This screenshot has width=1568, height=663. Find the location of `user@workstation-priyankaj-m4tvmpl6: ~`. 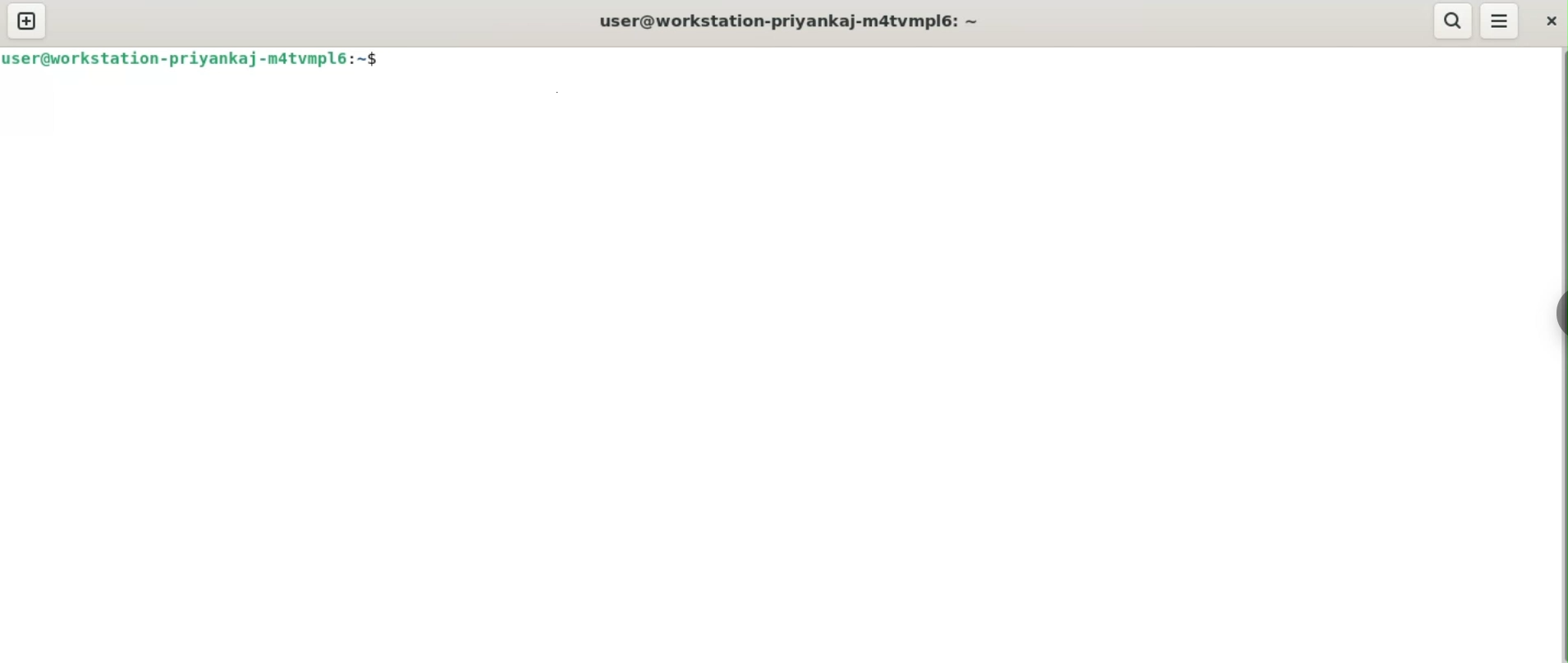

user@workstation-priyankaj-m4tvmpl6: ~ is located at coordinates (792, 22).